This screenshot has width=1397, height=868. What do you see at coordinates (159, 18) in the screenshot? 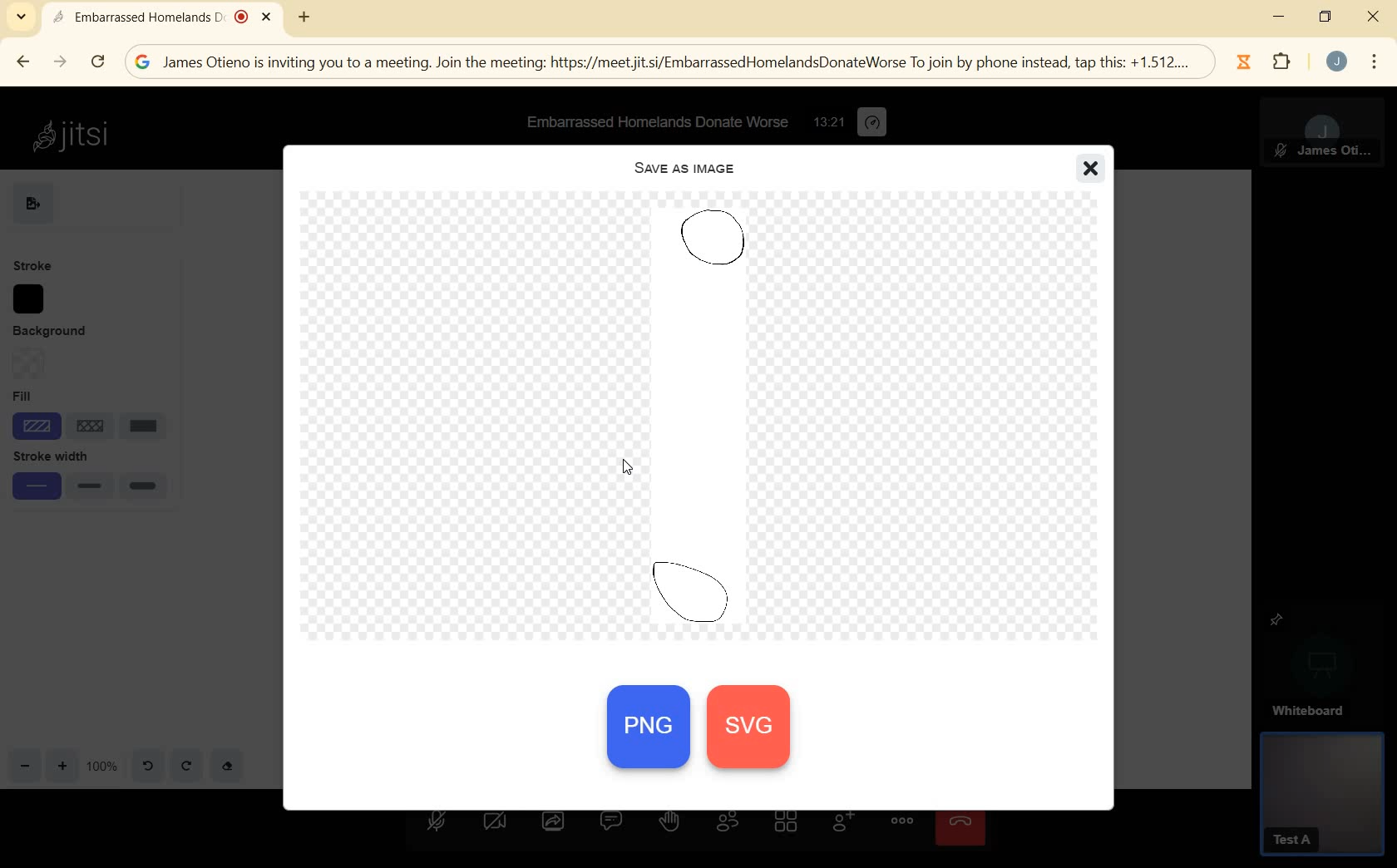
I see `Embarrassed Homelands D` at bounding box center [159, 18].